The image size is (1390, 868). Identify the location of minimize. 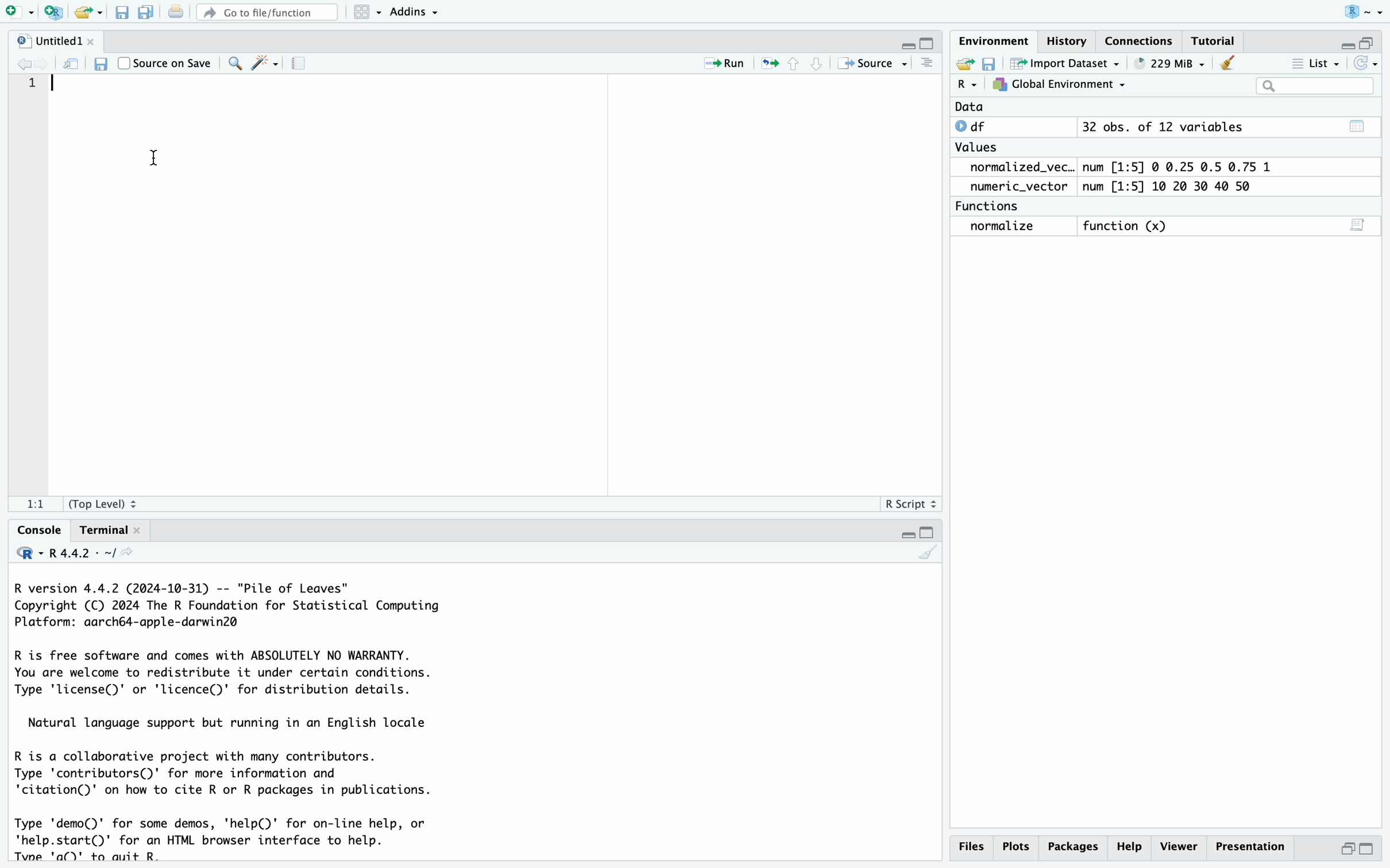
(1347, 848).